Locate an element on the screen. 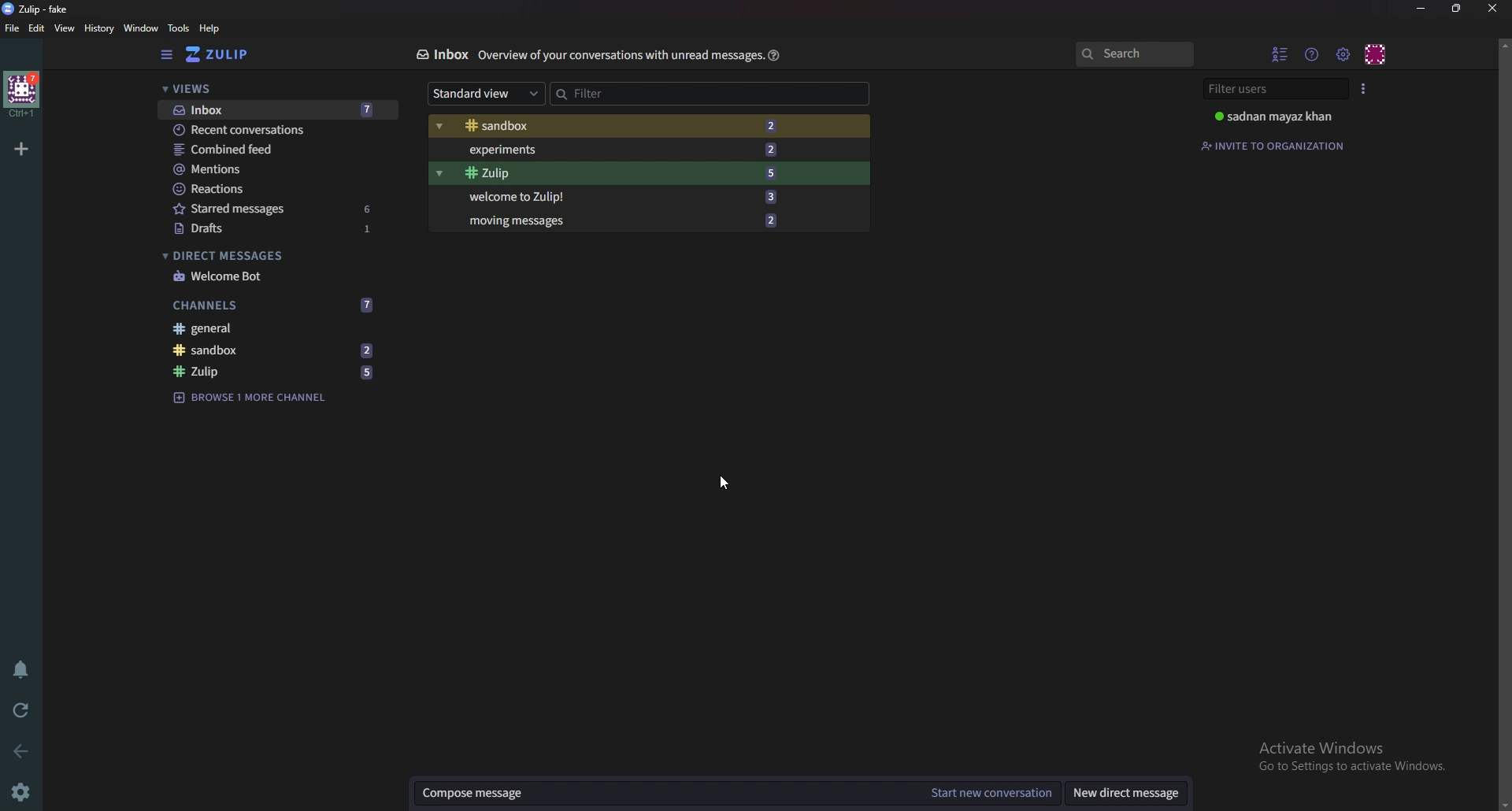 Image resolution: width=1512 pixels, height=811 pixels. drafts is located at coordinates (282, 228).